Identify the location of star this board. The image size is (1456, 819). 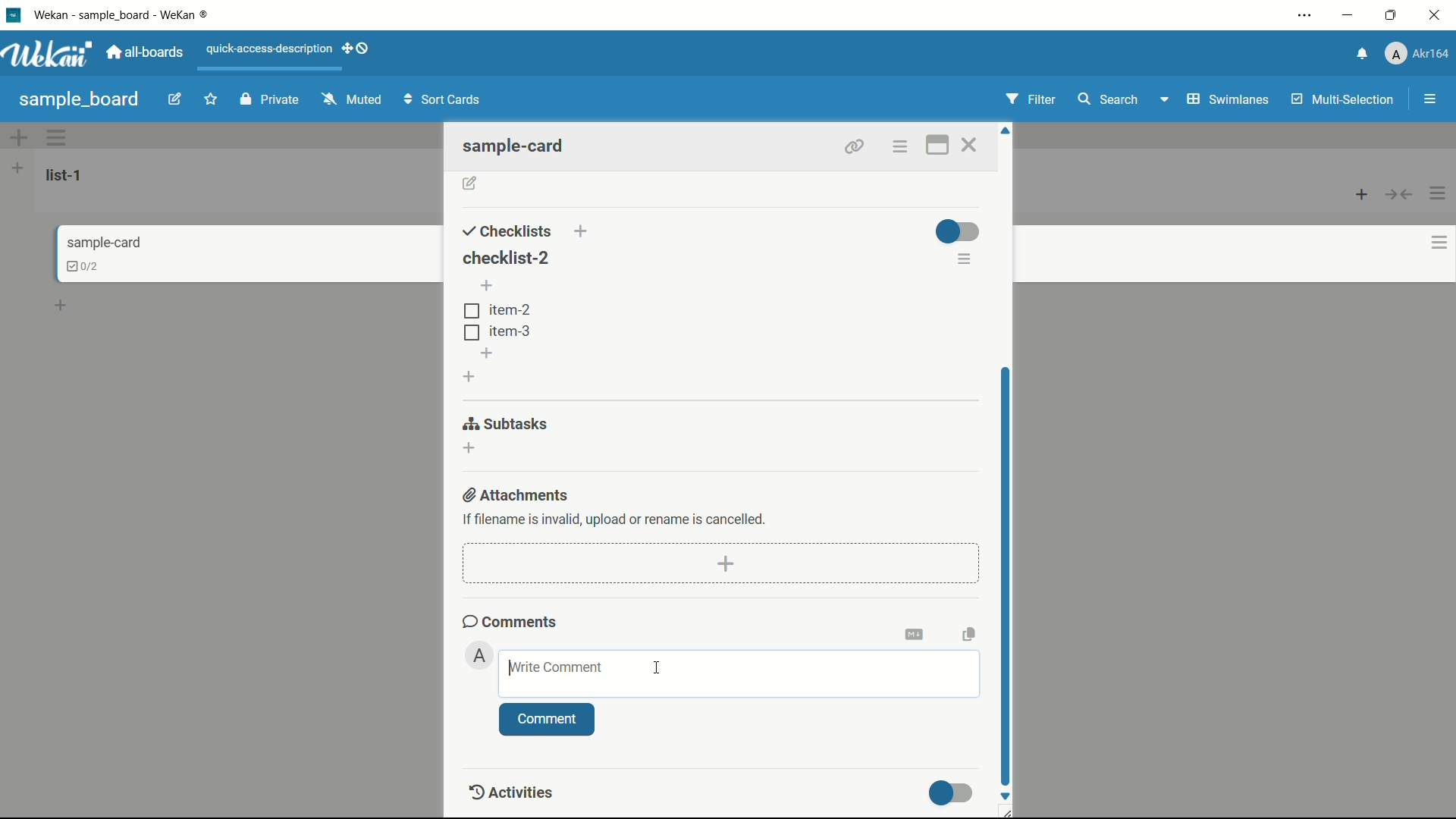
(212, 101).